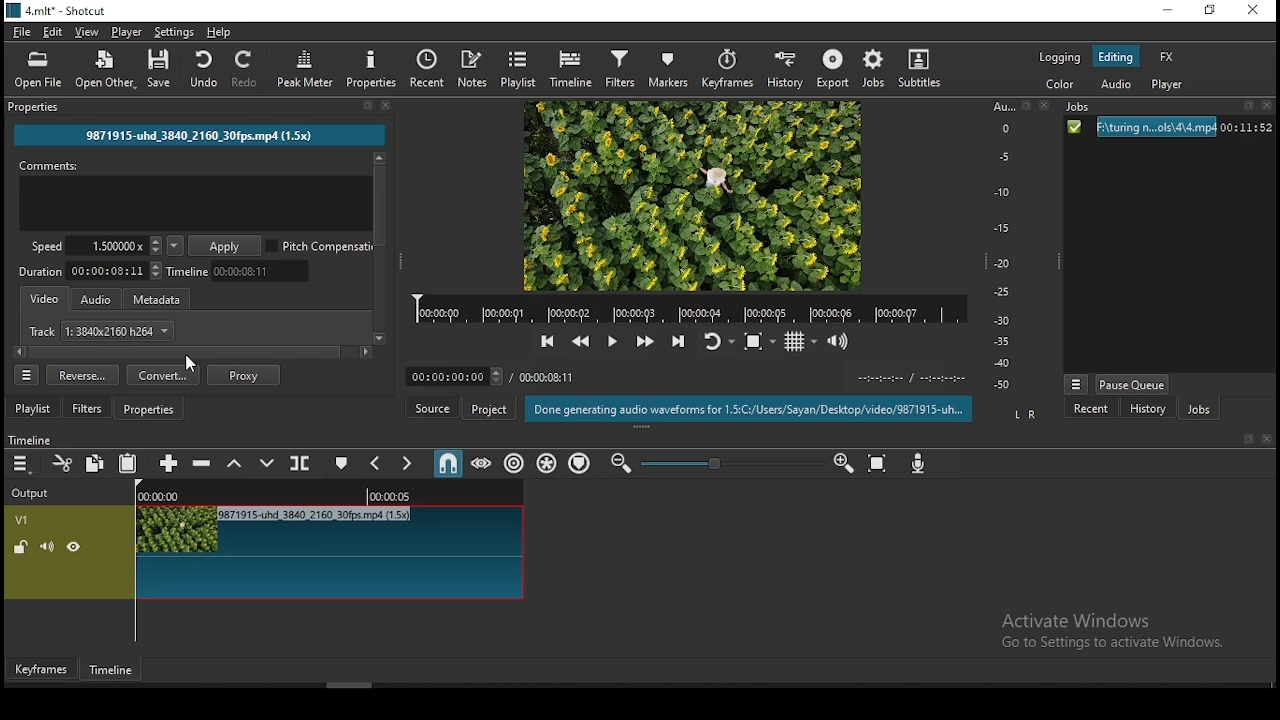 This screenshot has height=720, width=1280. What do you see at coordinates (1253, 11) in the screenshot?
I see `close window` at bounding box center [1253, 11].